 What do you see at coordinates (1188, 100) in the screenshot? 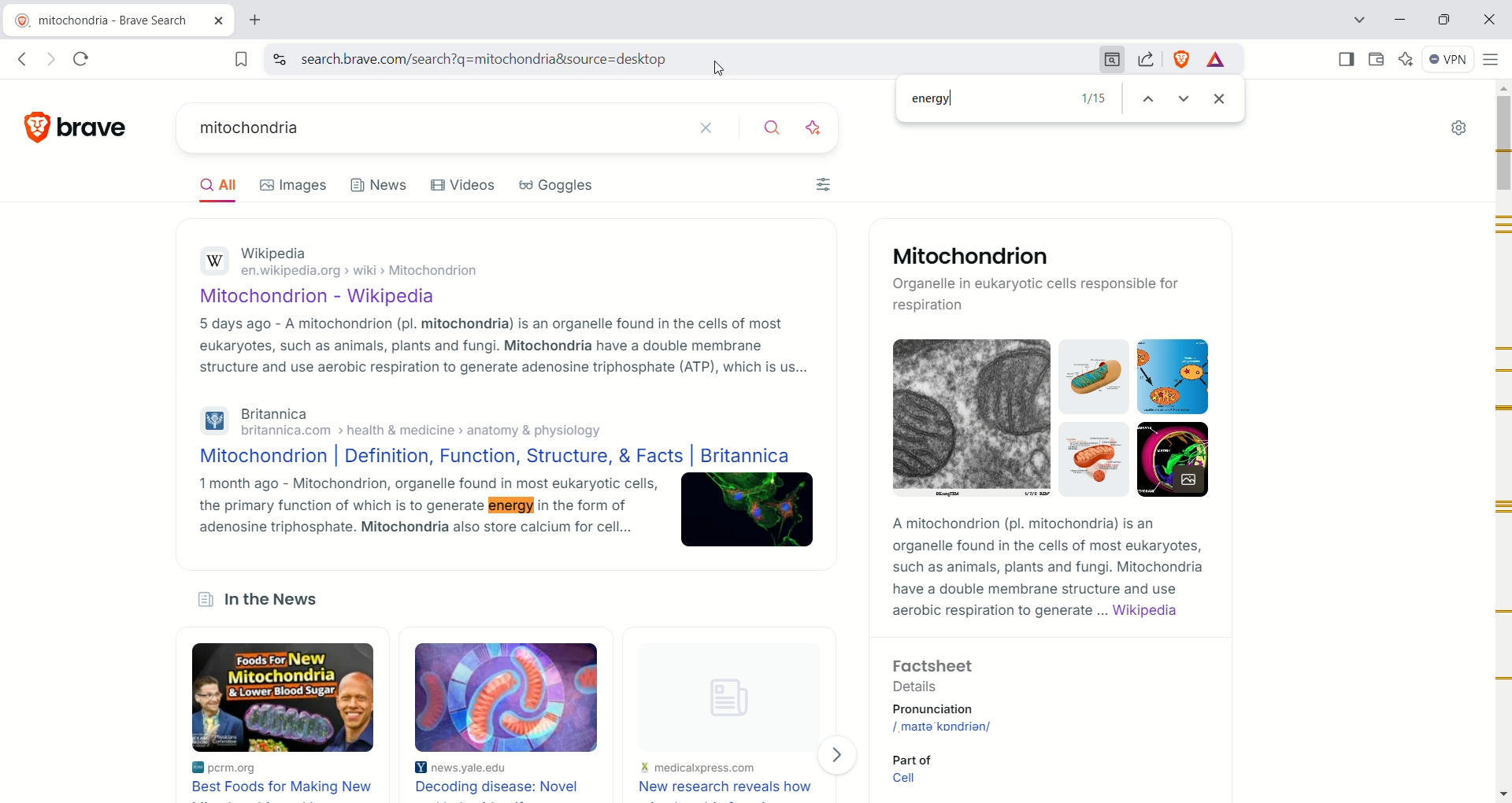
I see `next` at bounding box center [1188, 100].